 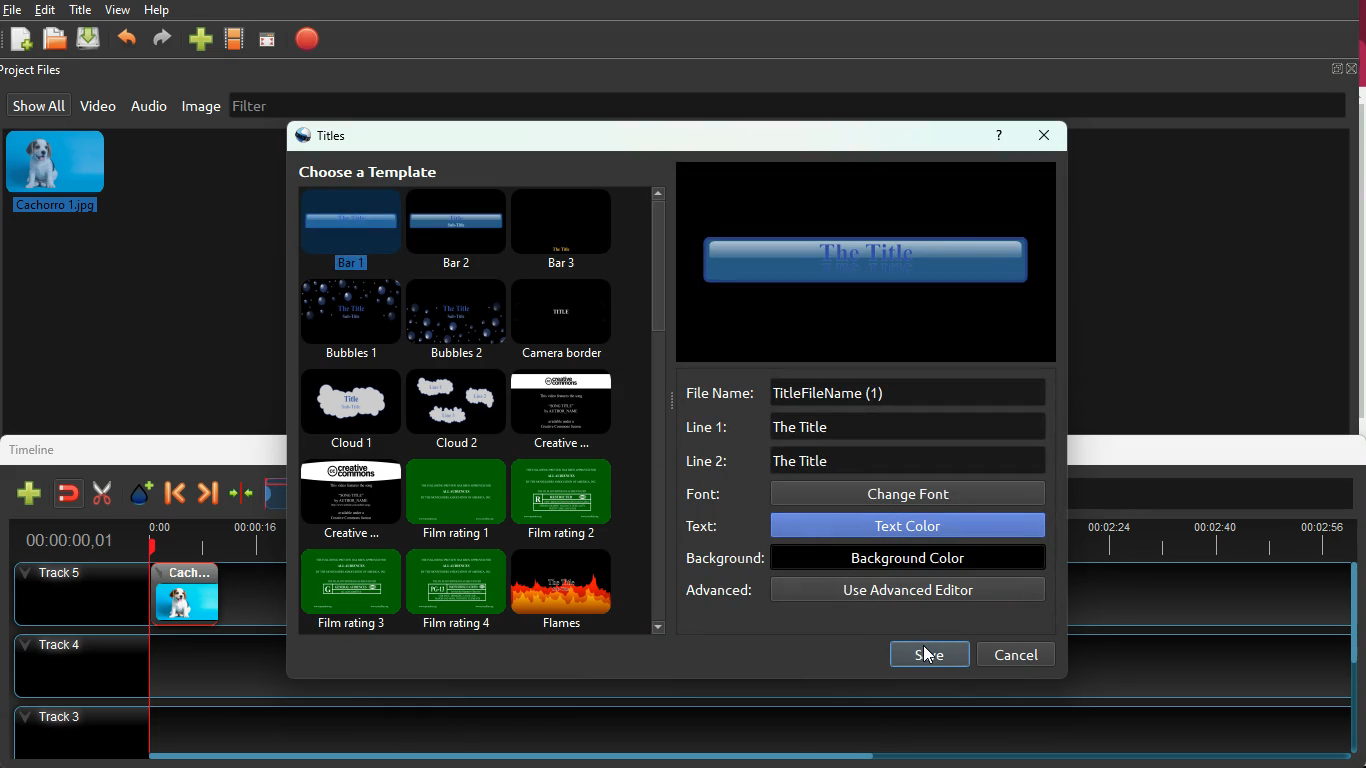 I want to click on close, so click(x=1046, y=136).